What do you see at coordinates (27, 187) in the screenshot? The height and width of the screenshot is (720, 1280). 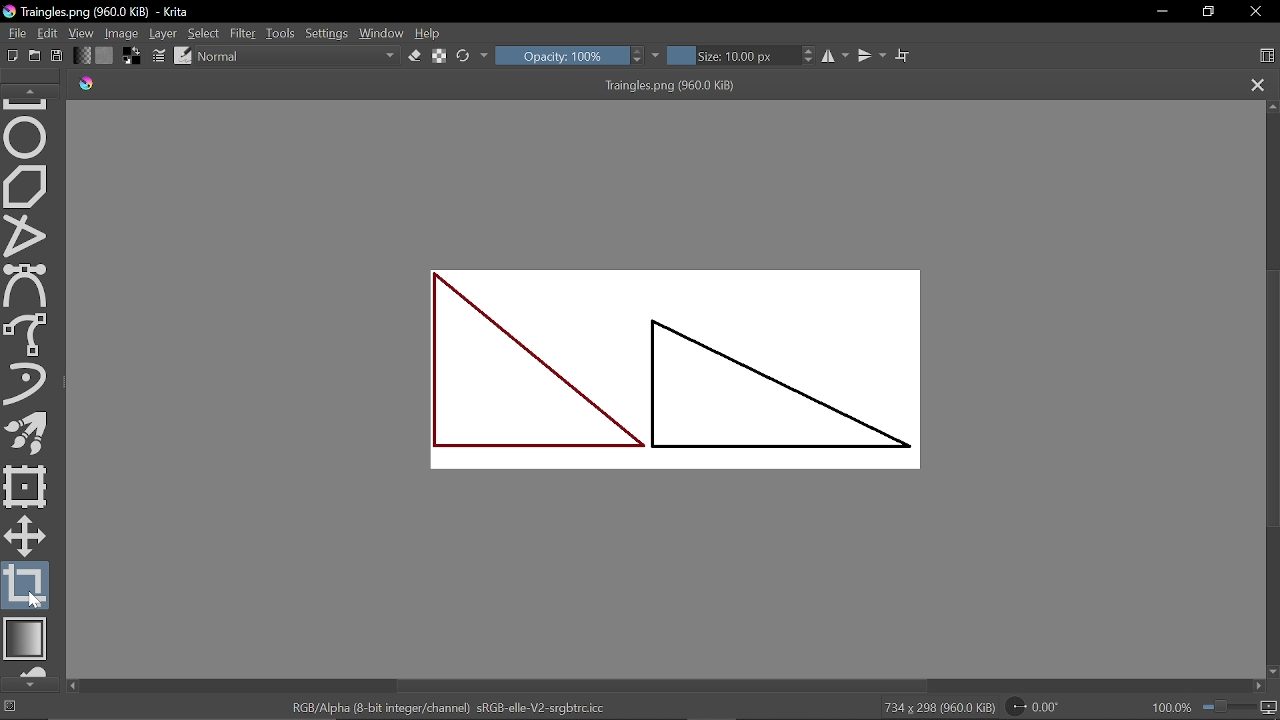 I see `Polygon tool` at bounding box center [27, 187].